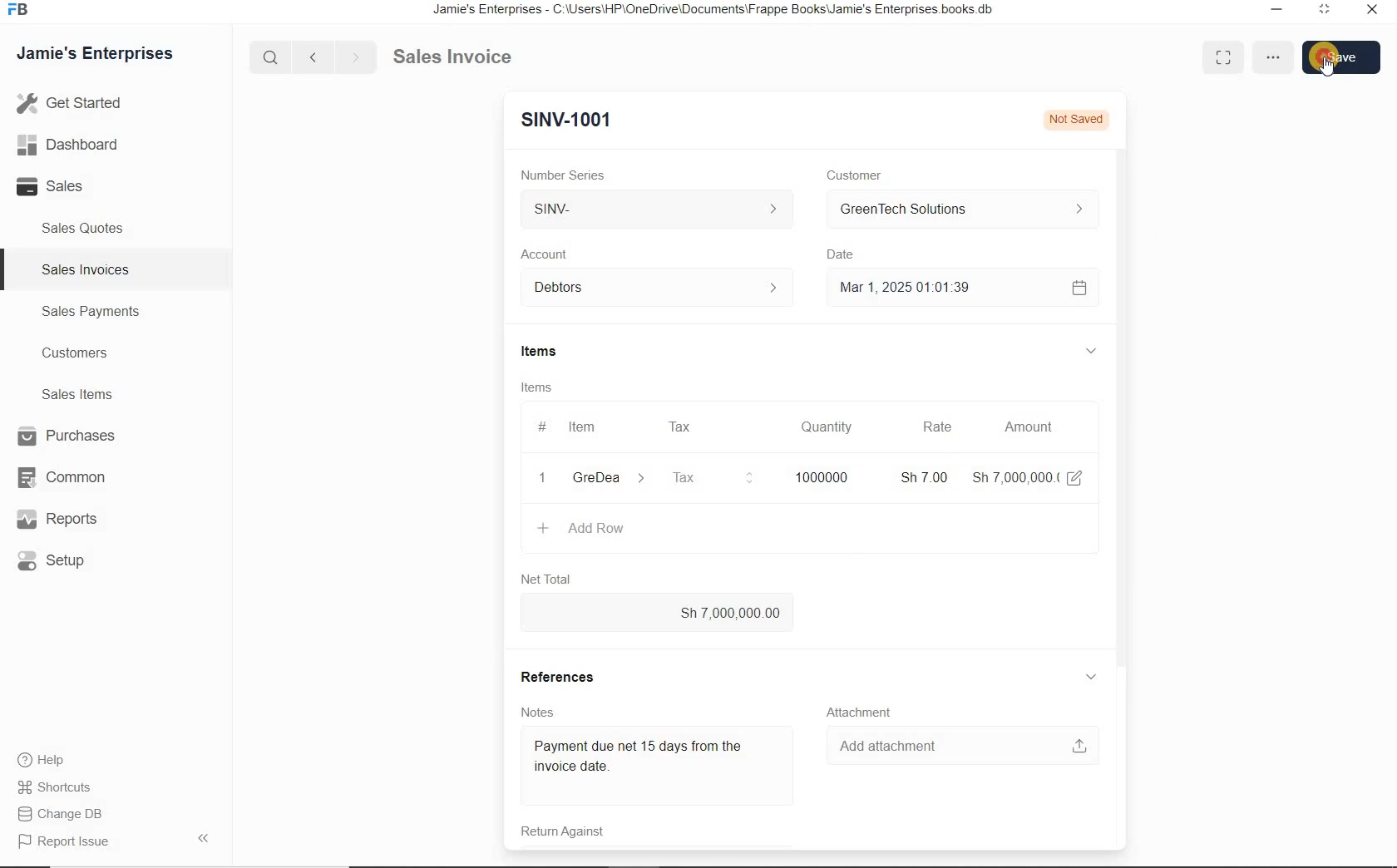  What do you see at coordinates (1338, 57) in the screenshot?
I see `save` at bounding box center [1338, 57].